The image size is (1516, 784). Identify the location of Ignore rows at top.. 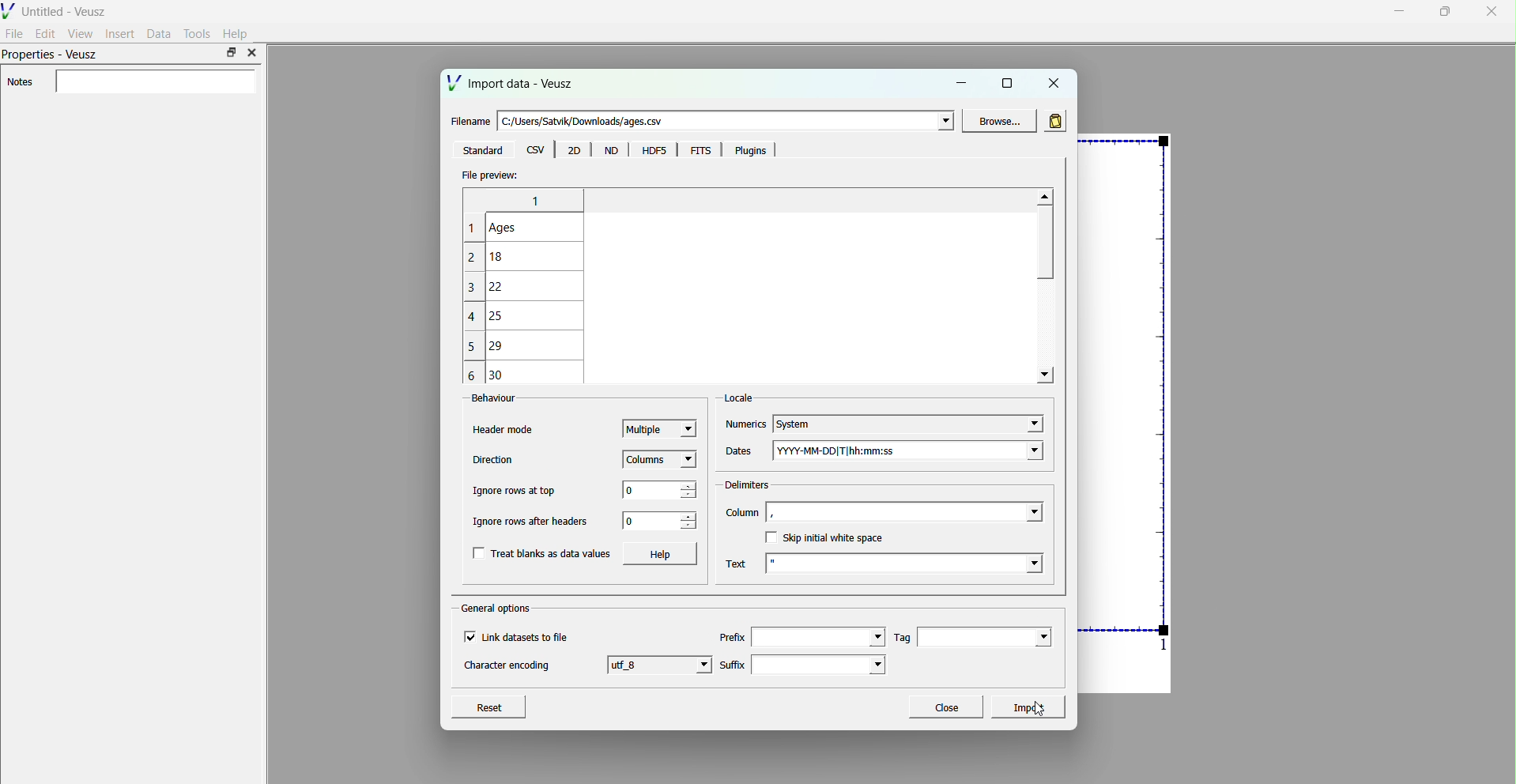
(517, 492).